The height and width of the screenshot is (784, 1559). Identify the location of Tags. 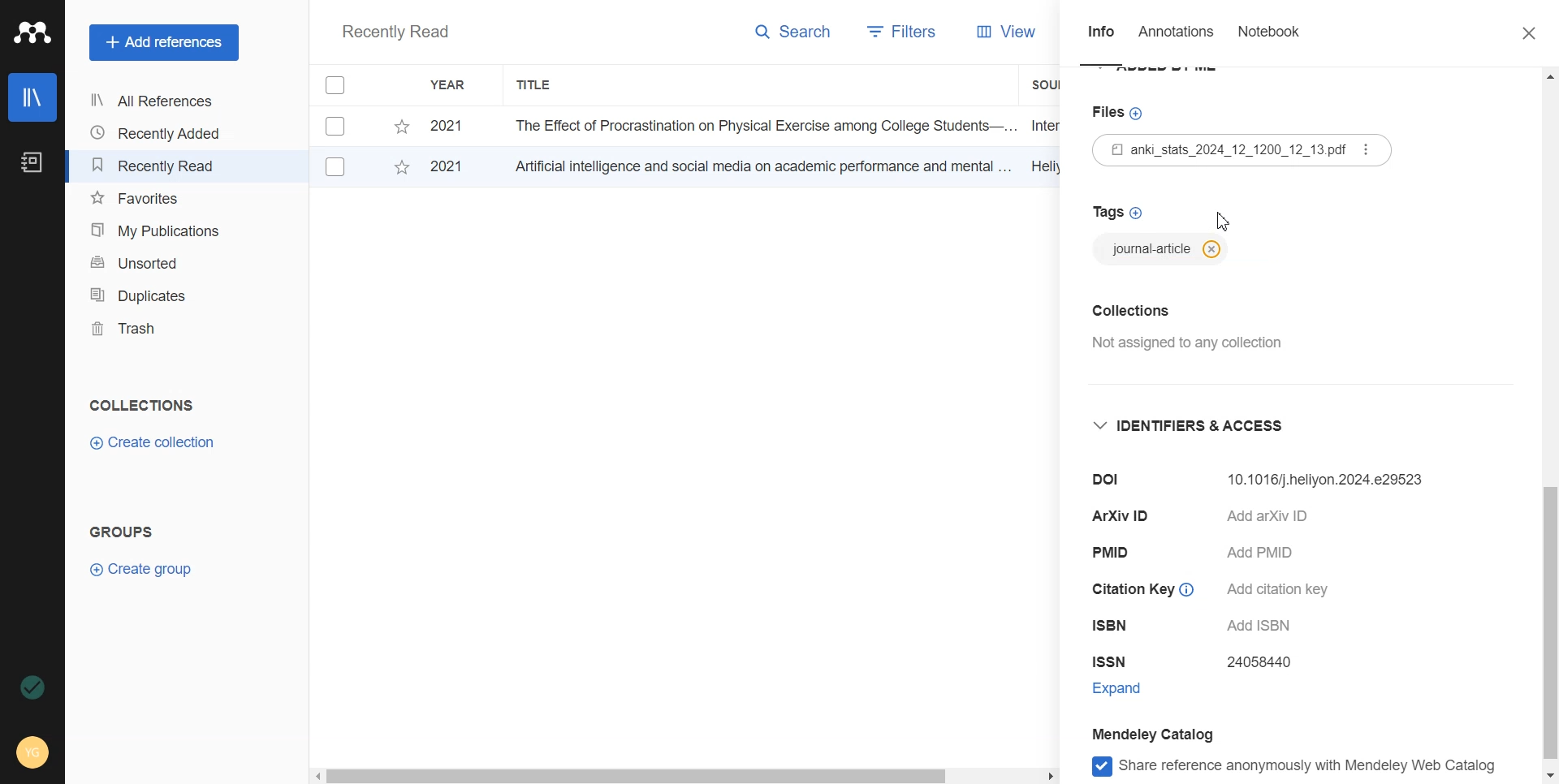
(1120, 210).